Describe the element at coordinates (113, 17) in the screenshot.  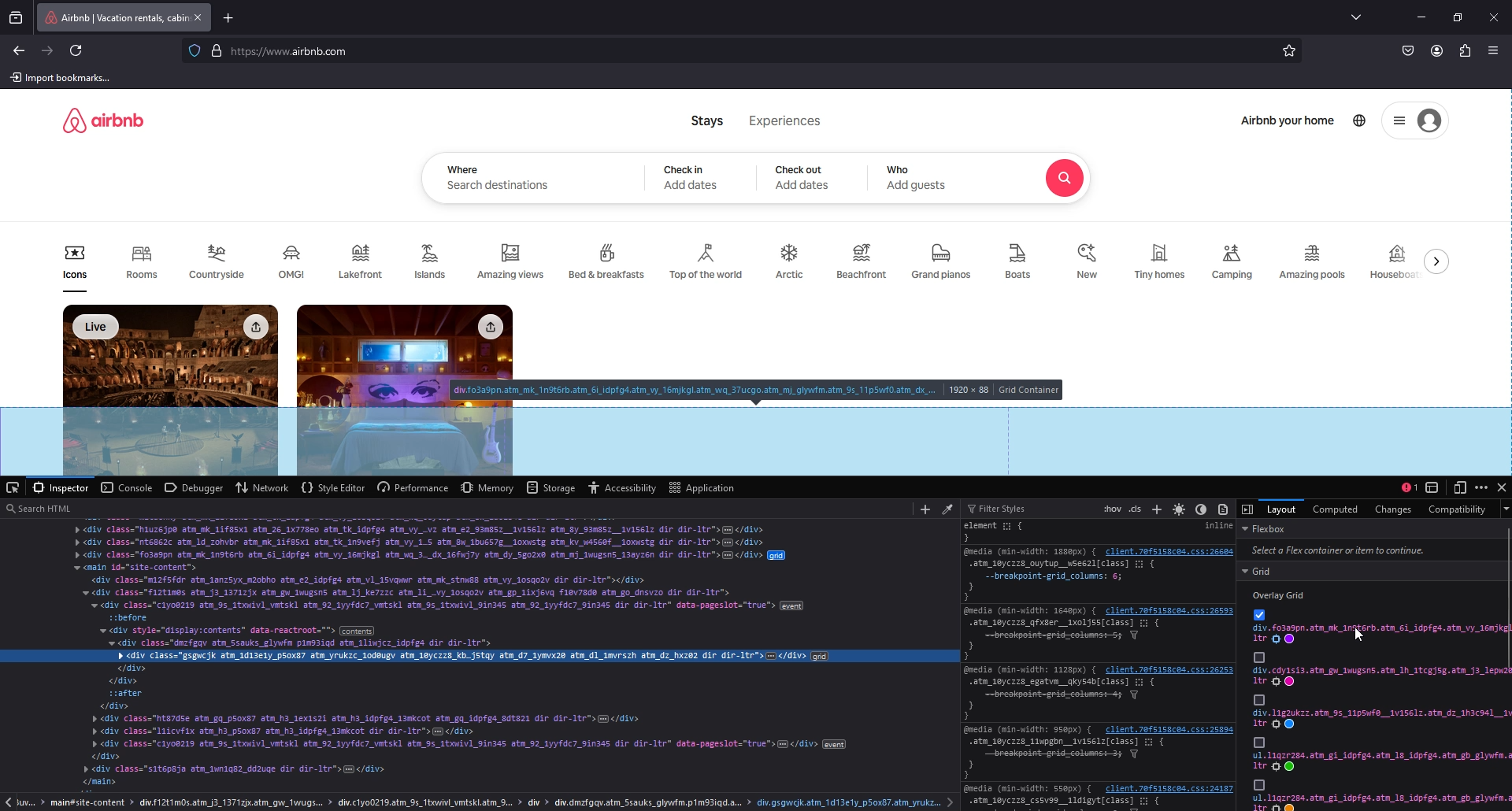
I see `tab` at that location.